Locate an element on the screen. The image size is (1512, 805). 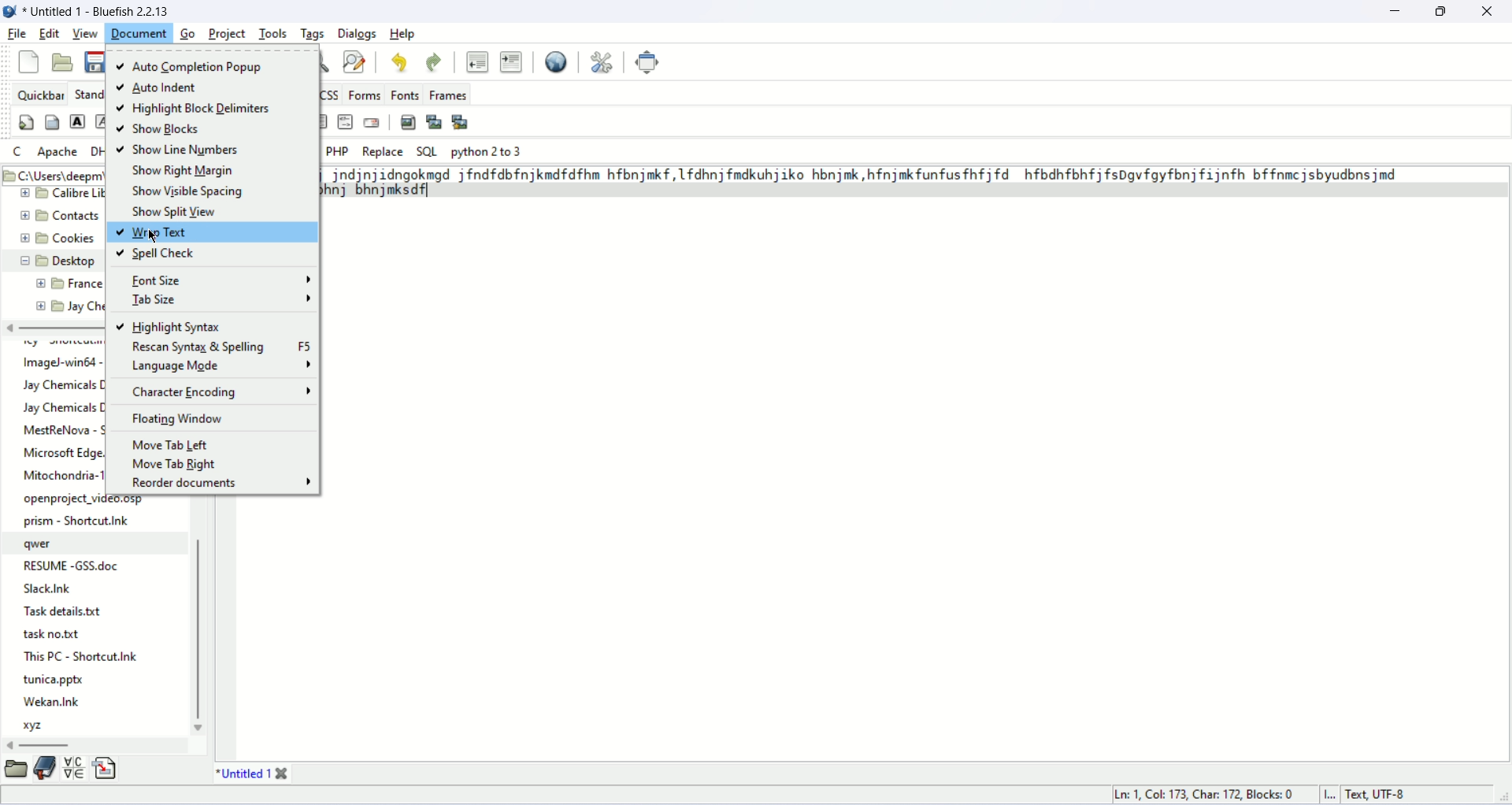
insert image is located at coordinates (406, 121).